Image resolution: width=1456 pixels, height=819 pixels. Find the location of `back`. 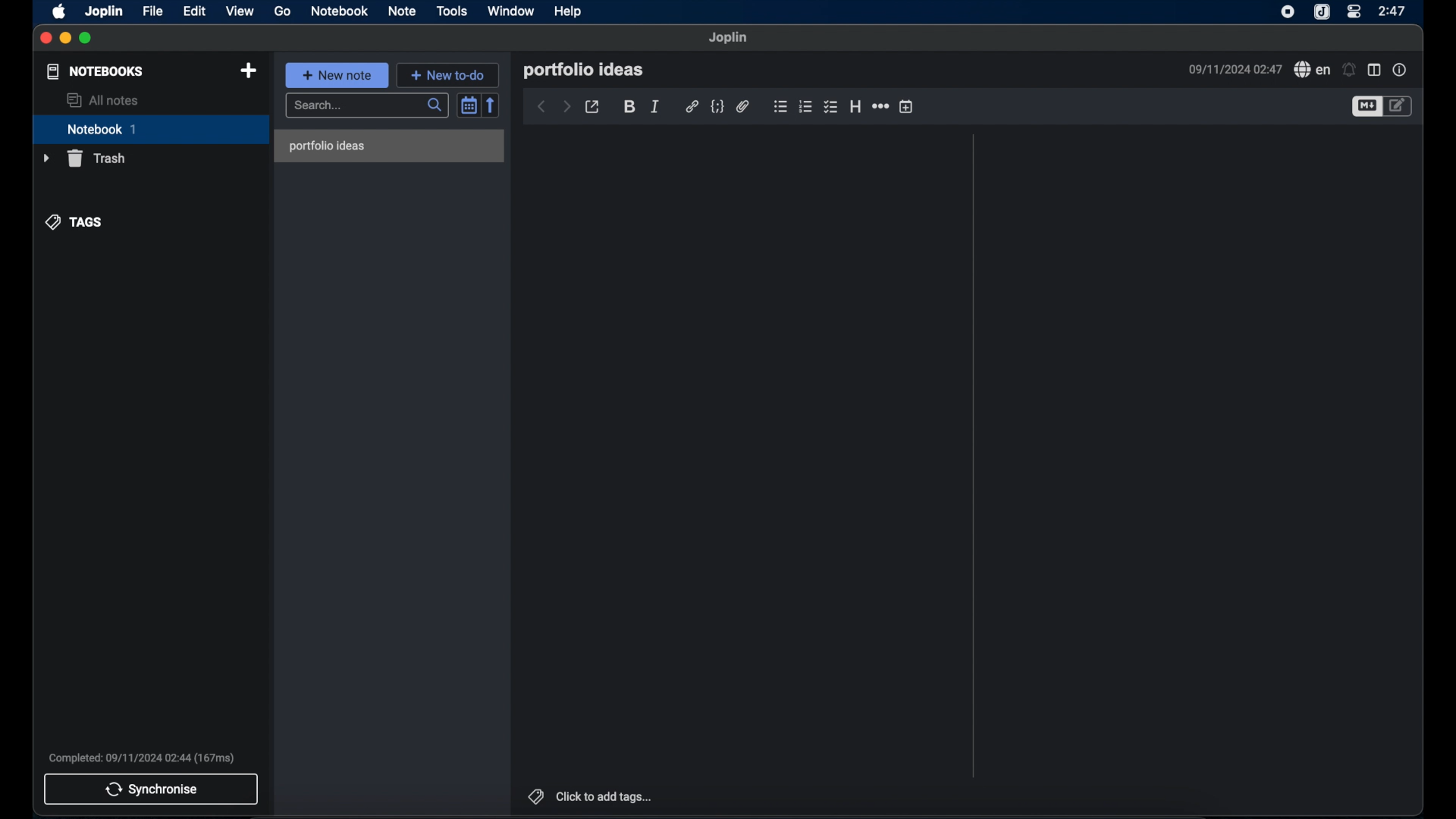

back is located at coordinates (541, 108).